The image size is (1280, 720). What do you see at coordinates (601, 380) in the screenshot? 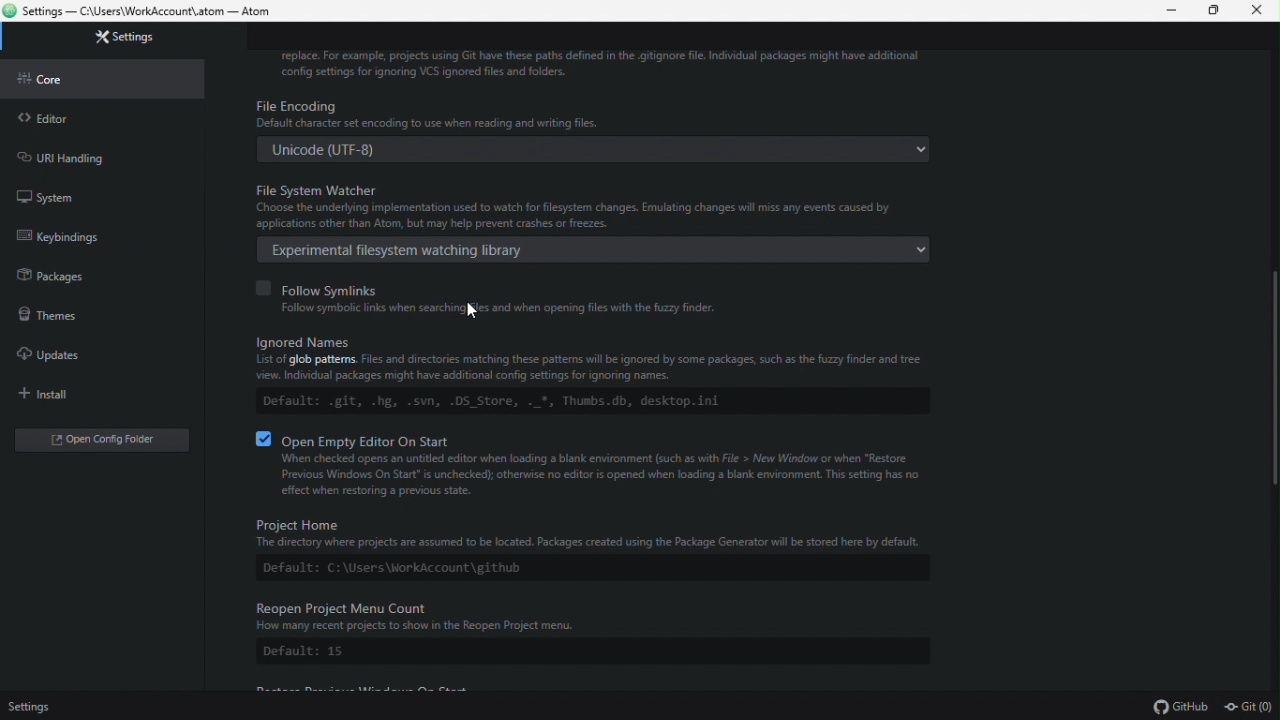
I see `ignored names` at bounding box center [601, 380].